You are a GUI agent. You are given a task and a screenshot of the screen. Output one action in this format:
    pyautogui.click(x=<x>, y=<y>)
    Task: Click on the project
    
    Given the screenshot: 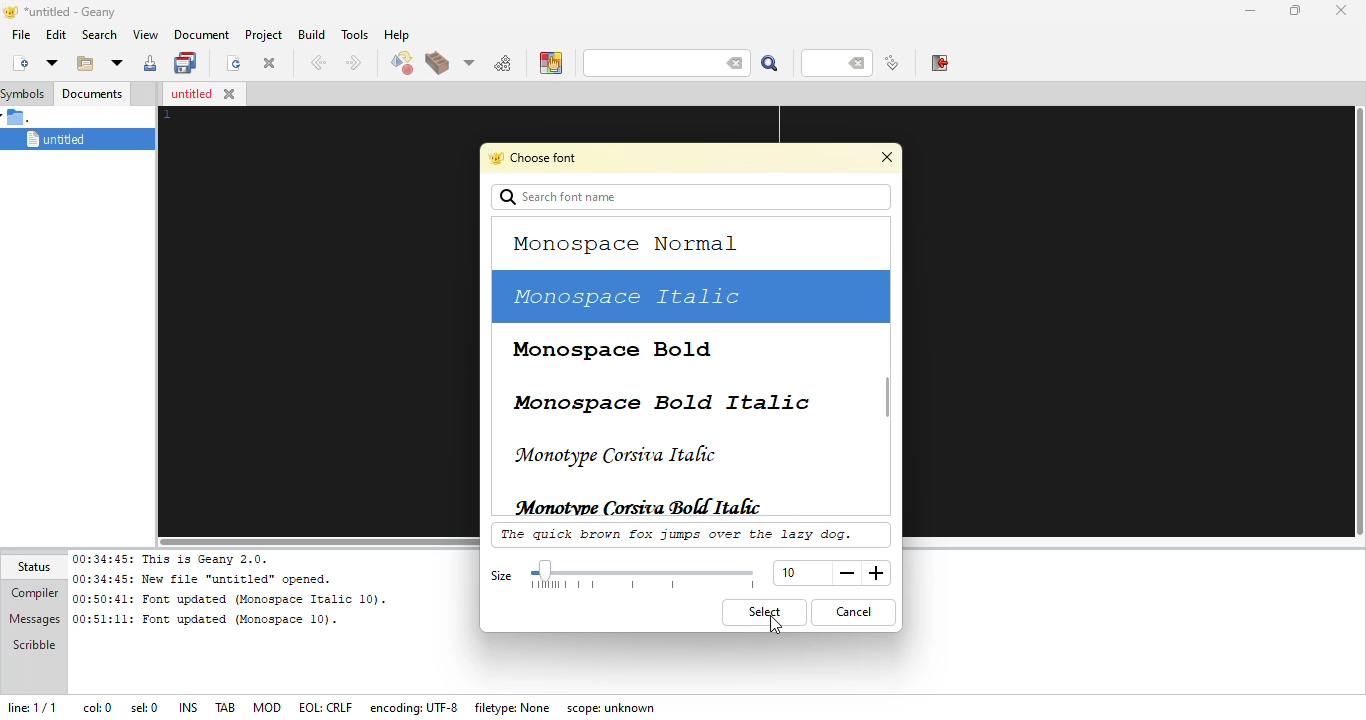 What is the action you would take?
    pyautogui.click(x=263, y=34)
    